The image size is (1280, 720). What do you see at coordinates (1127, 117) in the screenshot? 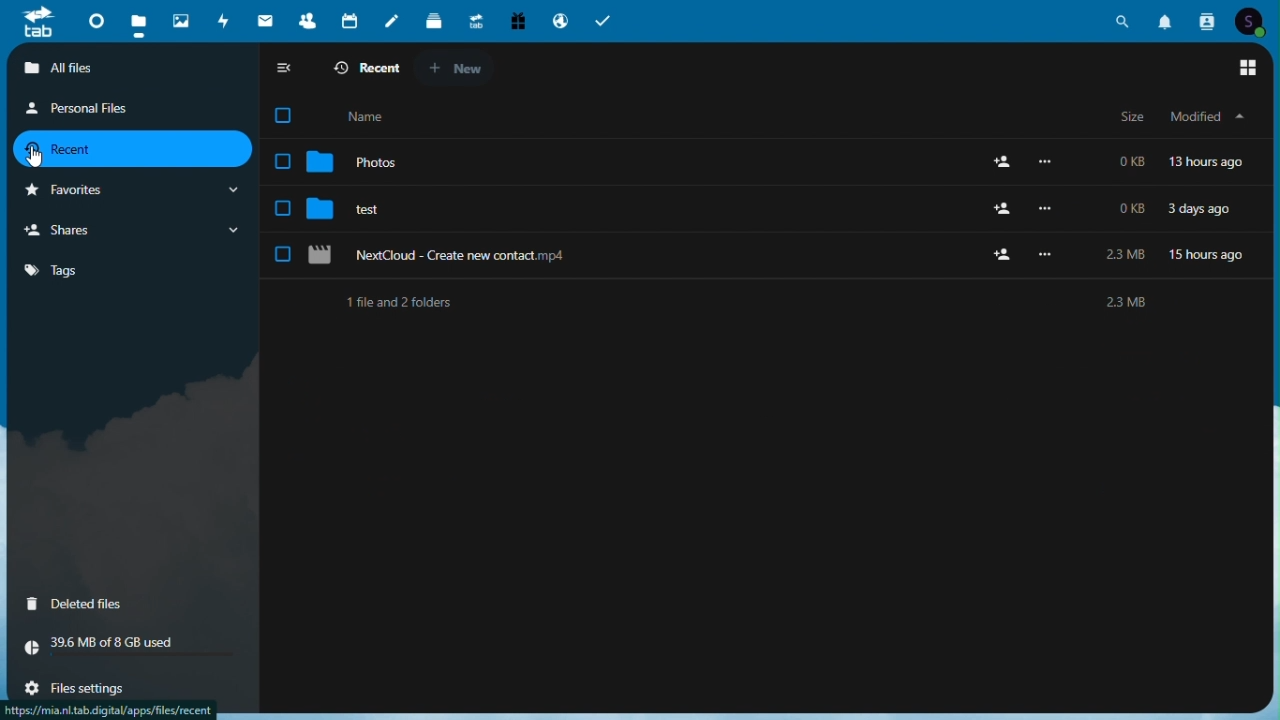
I see `size` at bounding box center [1127, 117].